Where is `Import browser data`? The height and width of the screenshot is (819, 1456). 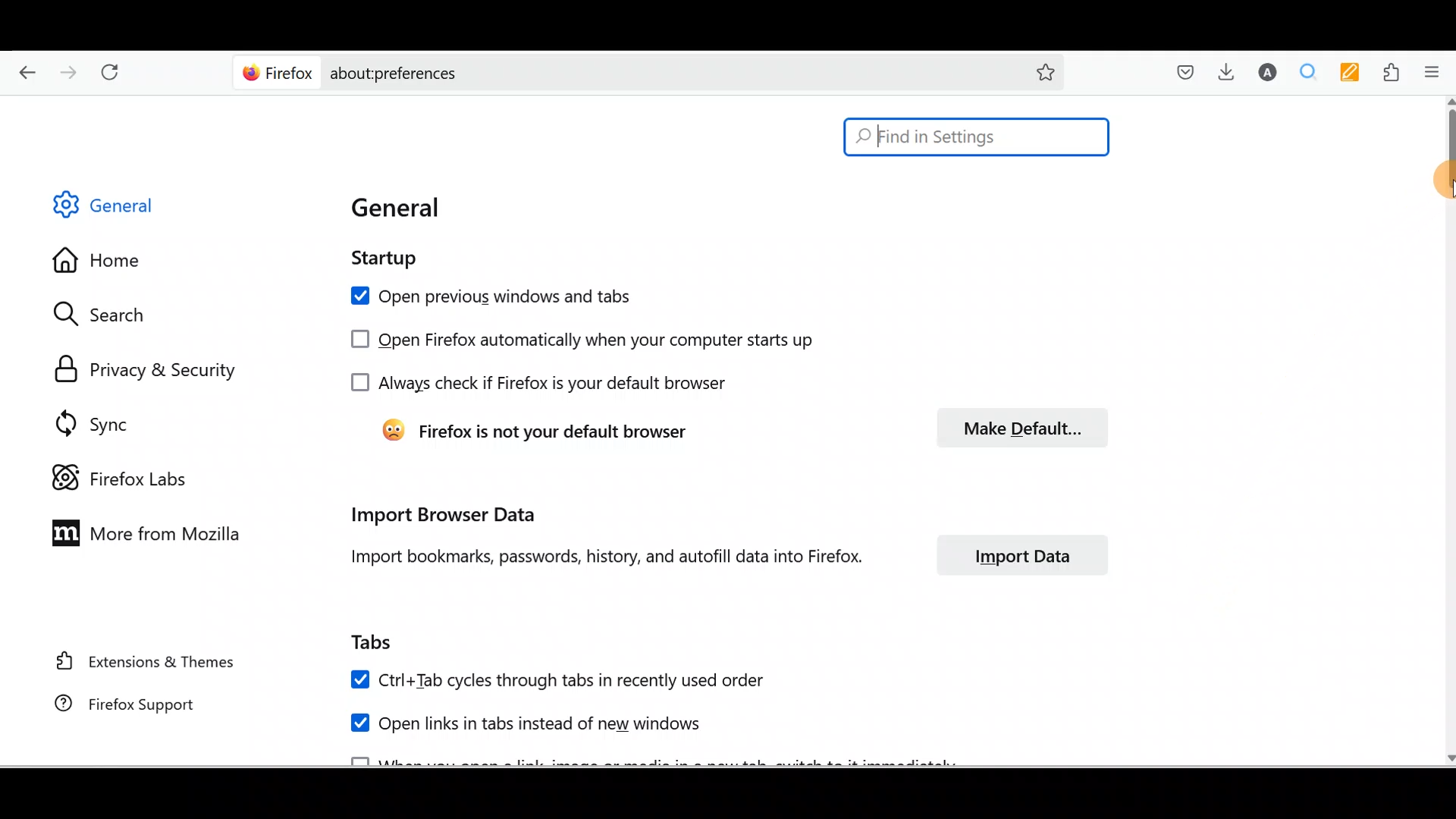 Import browser data is located at coordinates (431, 519).